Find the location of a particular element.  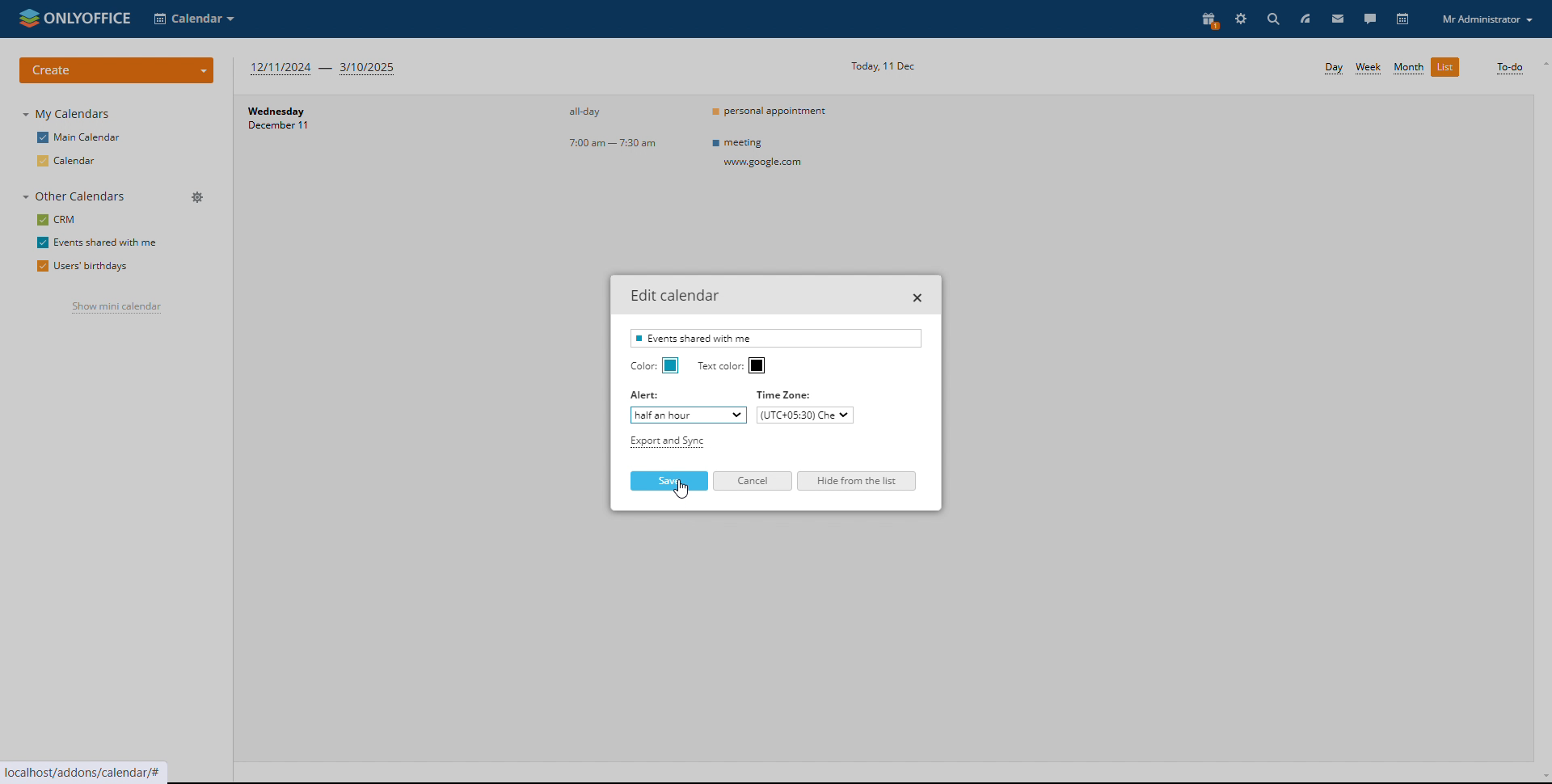

list view is located at coordinates (1445, 66).